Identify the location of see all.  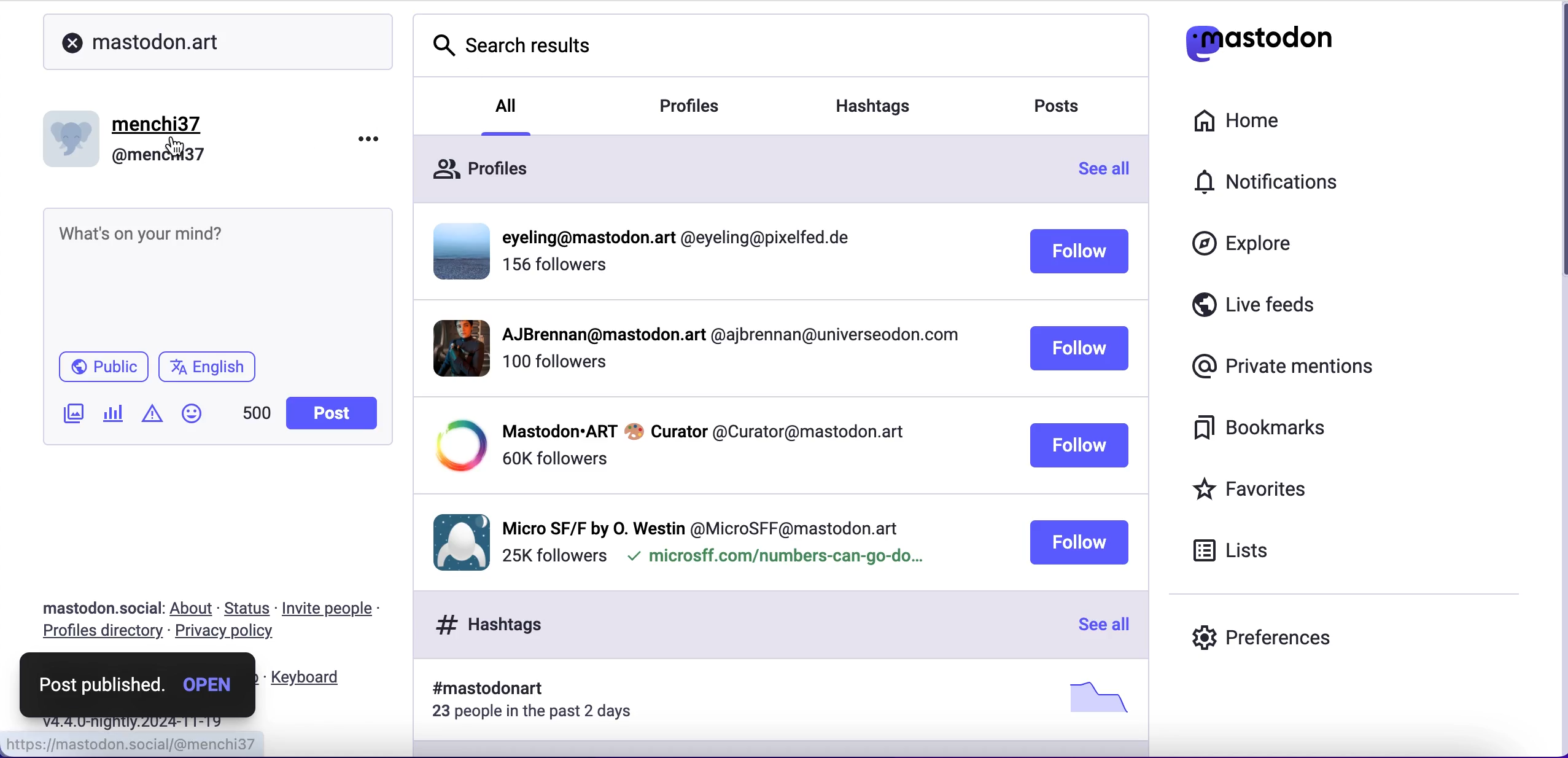
(1104, 623).